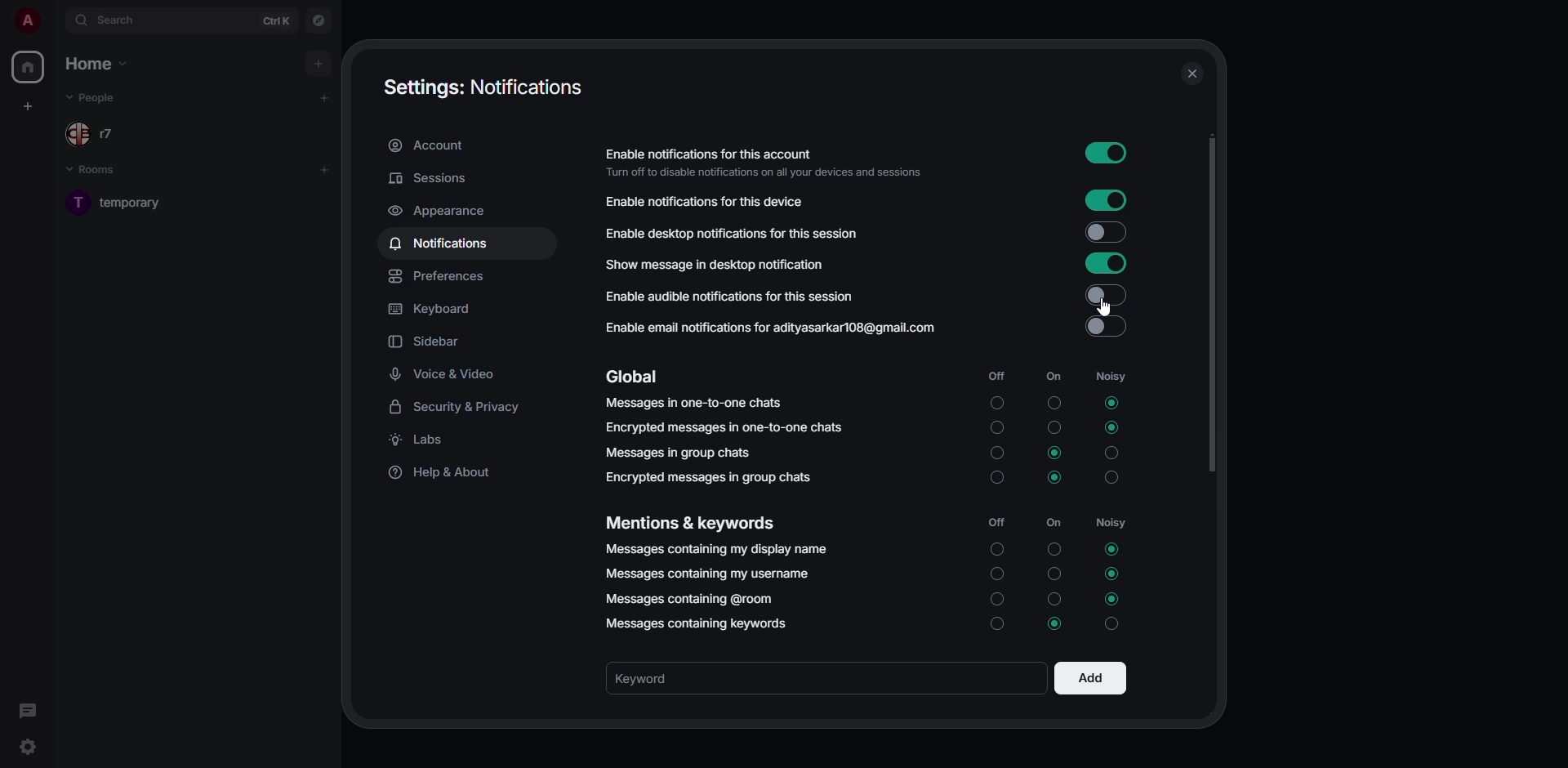 The width and height of the screenshot is (1568, 768). Describe the element at coordinates (1113, 600) in the screenshot. I see `selected` at that location.